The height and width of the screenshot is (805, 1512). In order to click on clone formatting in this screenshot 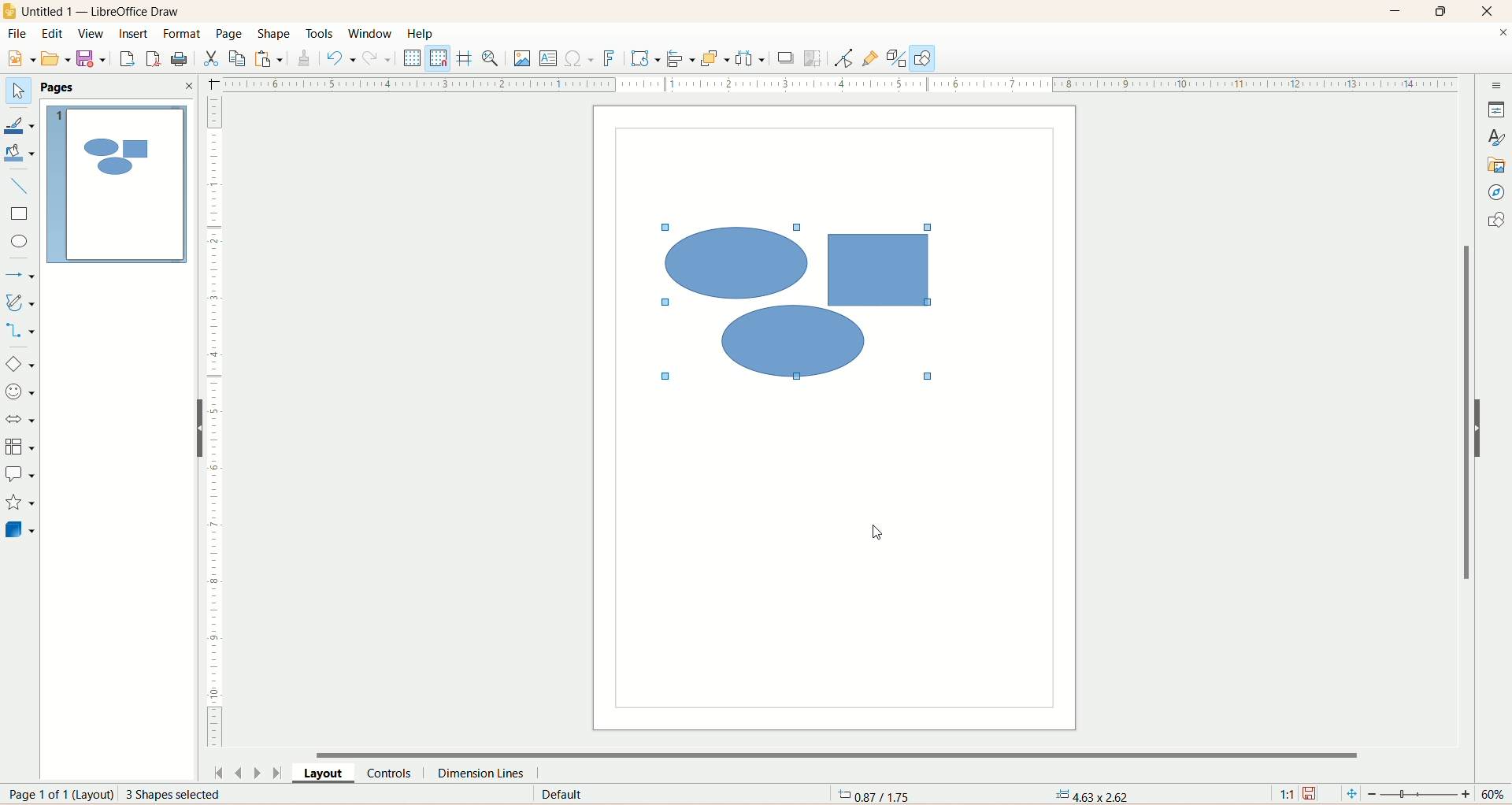, I will do `click(306, 58)`.